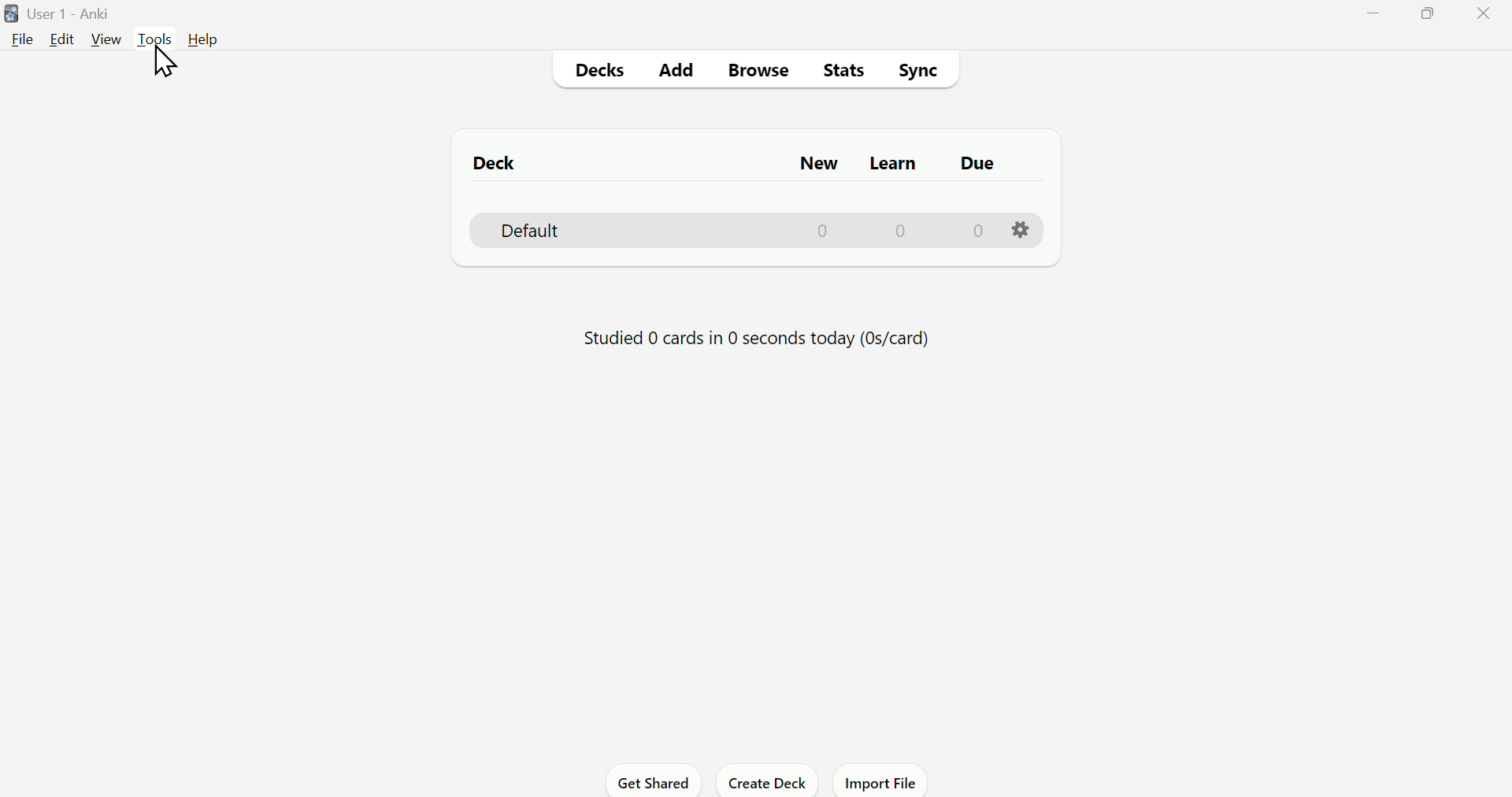  I want to click on Decks, so click(599, 69).